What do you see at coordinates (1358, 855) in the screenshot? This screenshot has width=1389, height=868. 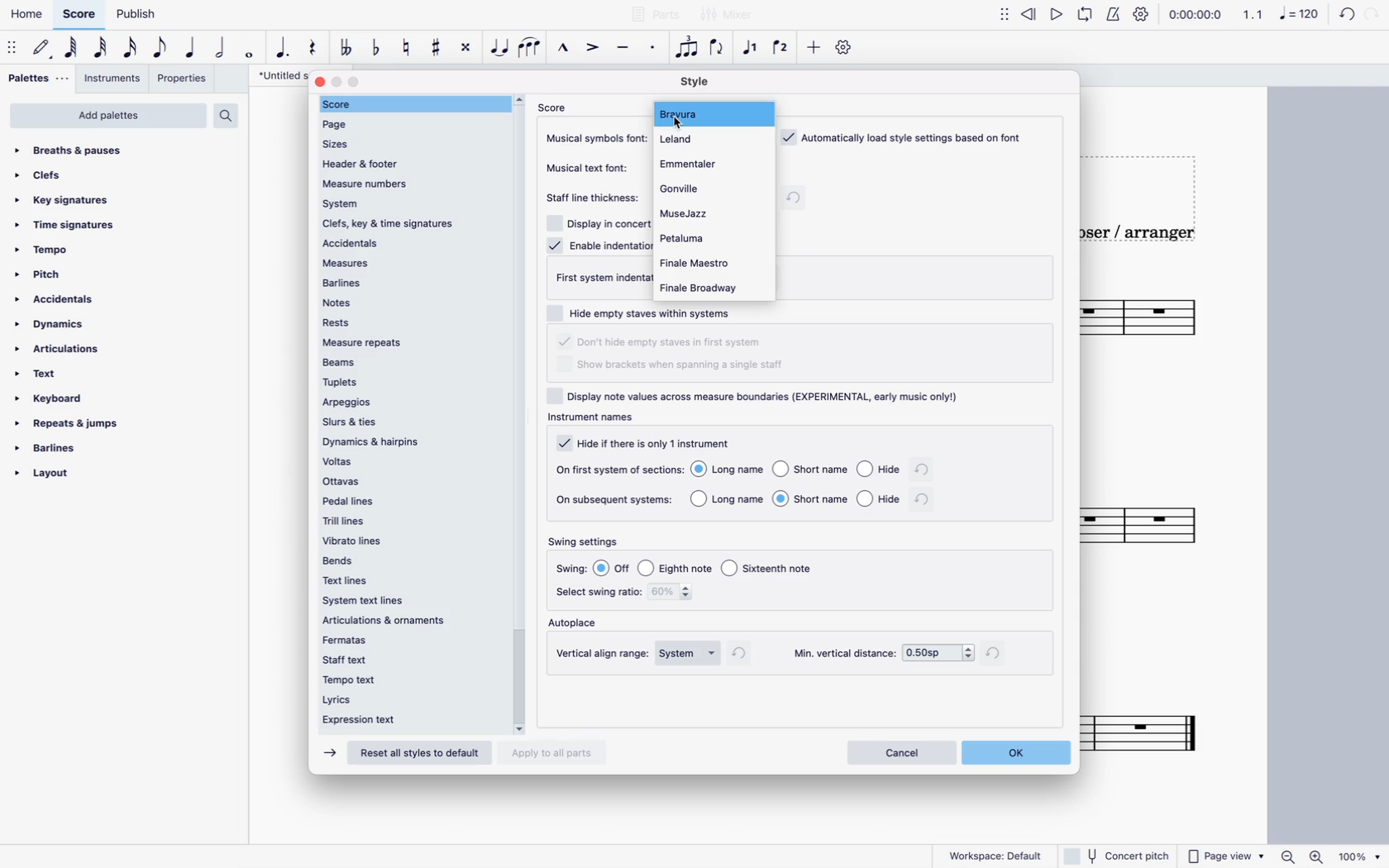 I see `100%` at bounding box center [1358, 855].